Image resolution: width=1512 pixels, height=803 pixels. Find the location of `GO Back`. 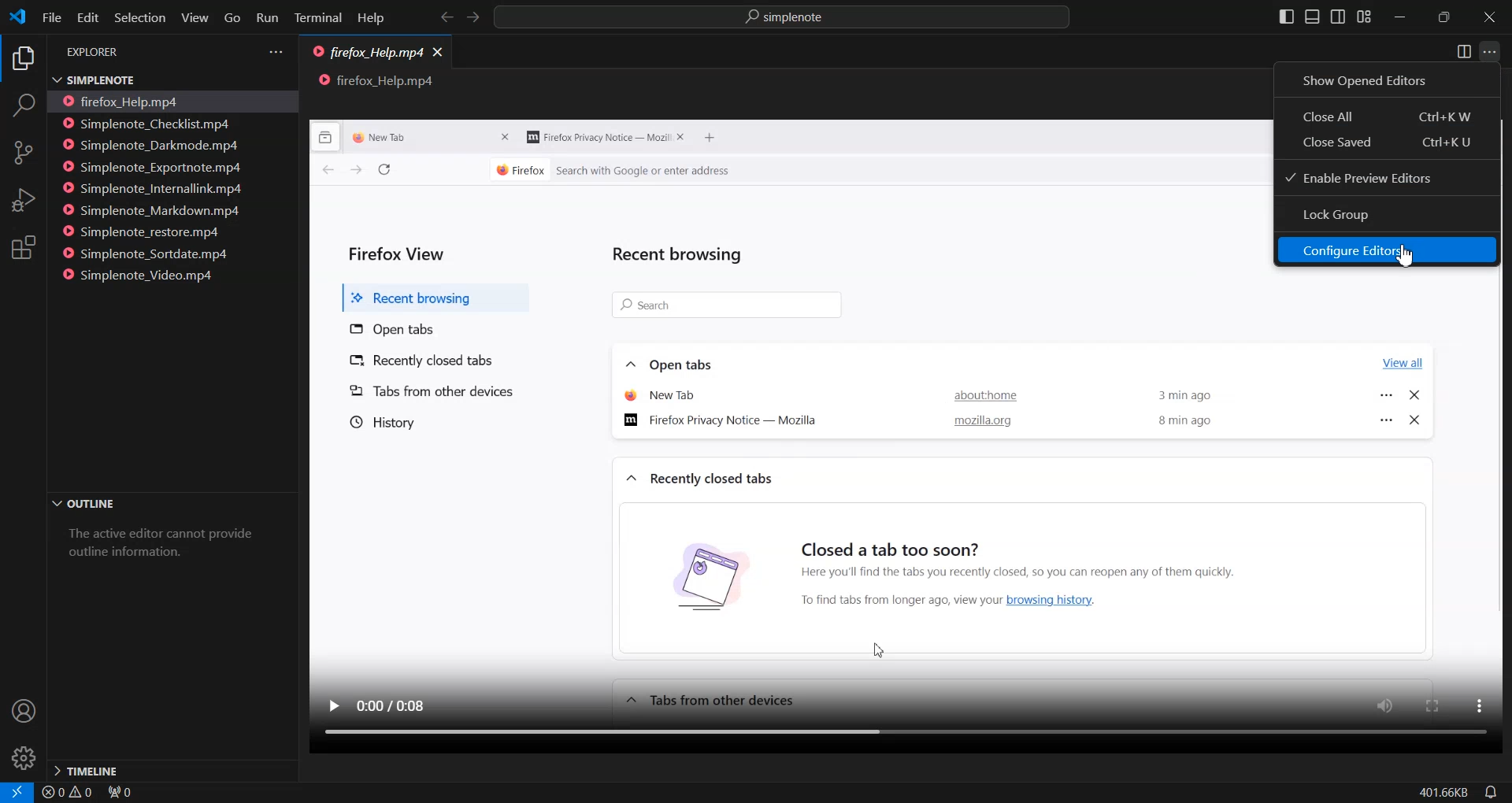

GO Back is located at coordinates (447, 17).